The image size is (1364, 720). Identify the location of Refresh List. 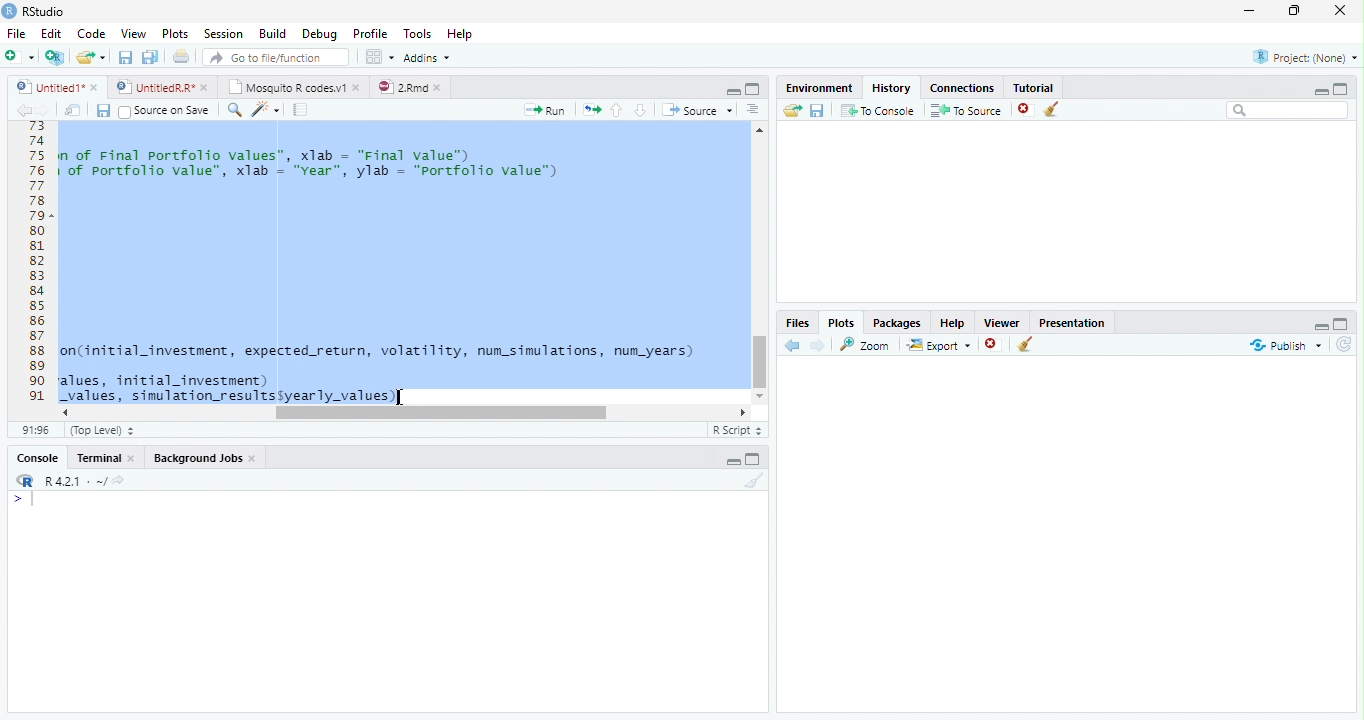
(1345, 345).